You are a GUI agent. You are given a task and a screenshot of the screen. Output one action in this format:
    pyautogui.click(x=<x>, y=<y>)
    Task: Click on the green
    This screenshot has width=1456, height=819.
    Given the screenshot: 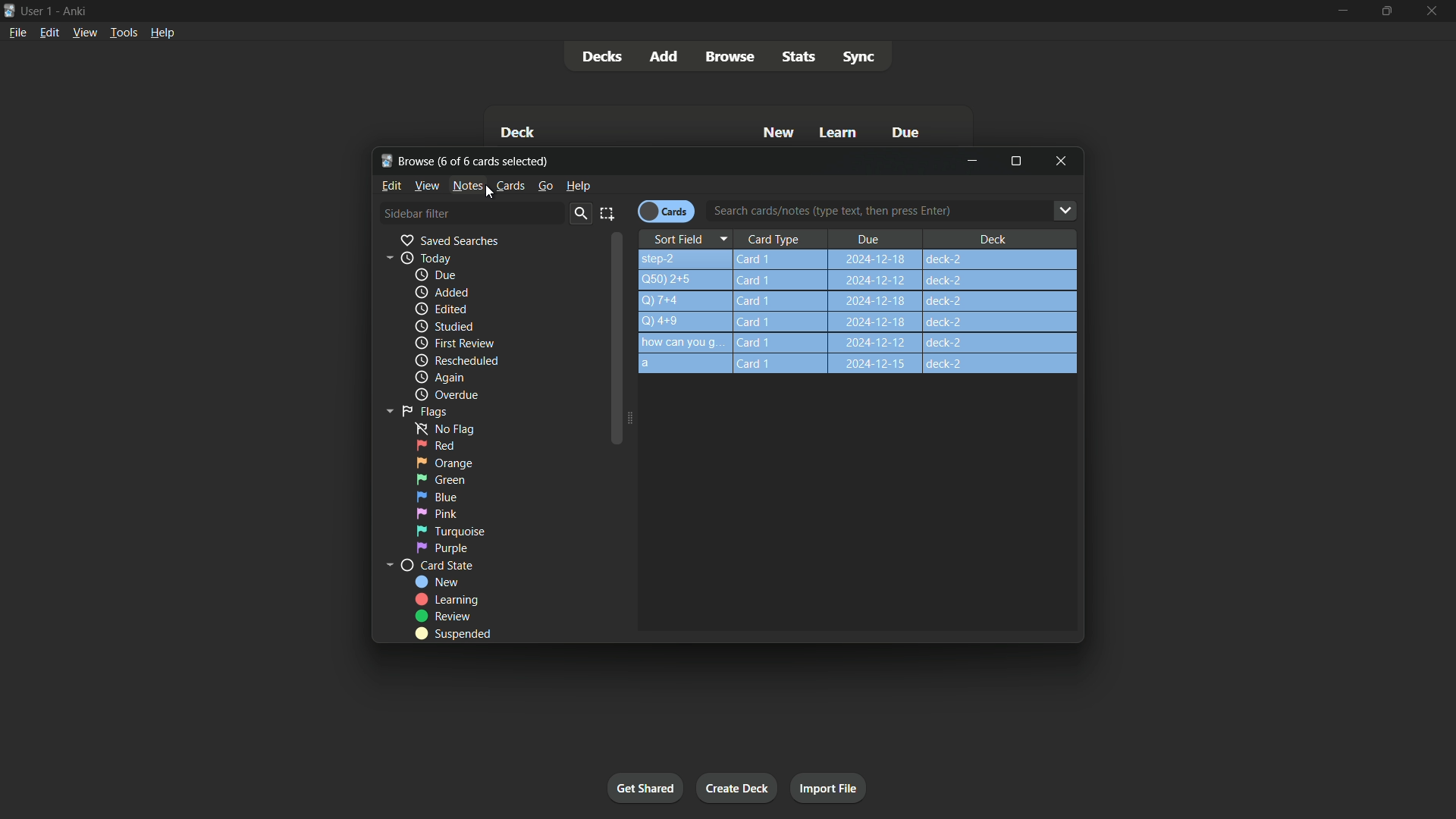 What is the action you would take?
    pyautogui.click(x=441, y=480)
    